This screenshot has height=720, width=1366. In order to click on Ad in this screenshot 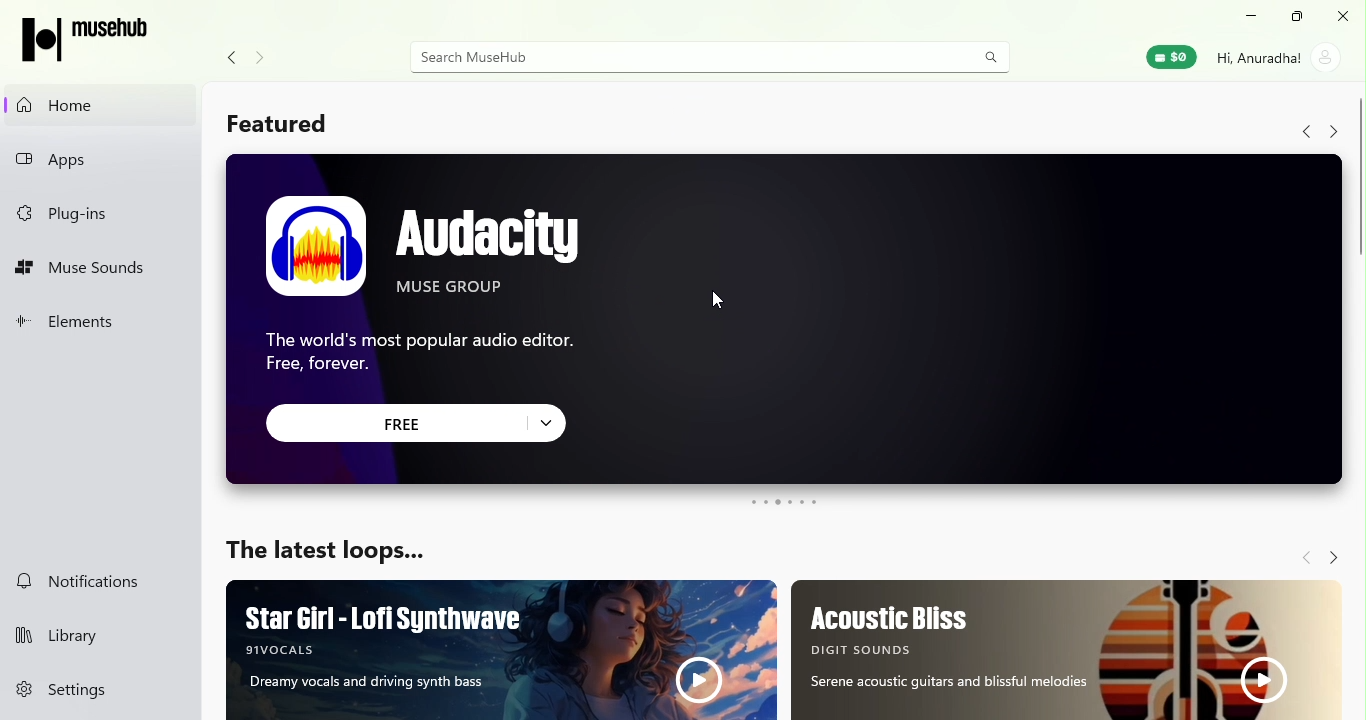, I will do `click(786, 318)`.